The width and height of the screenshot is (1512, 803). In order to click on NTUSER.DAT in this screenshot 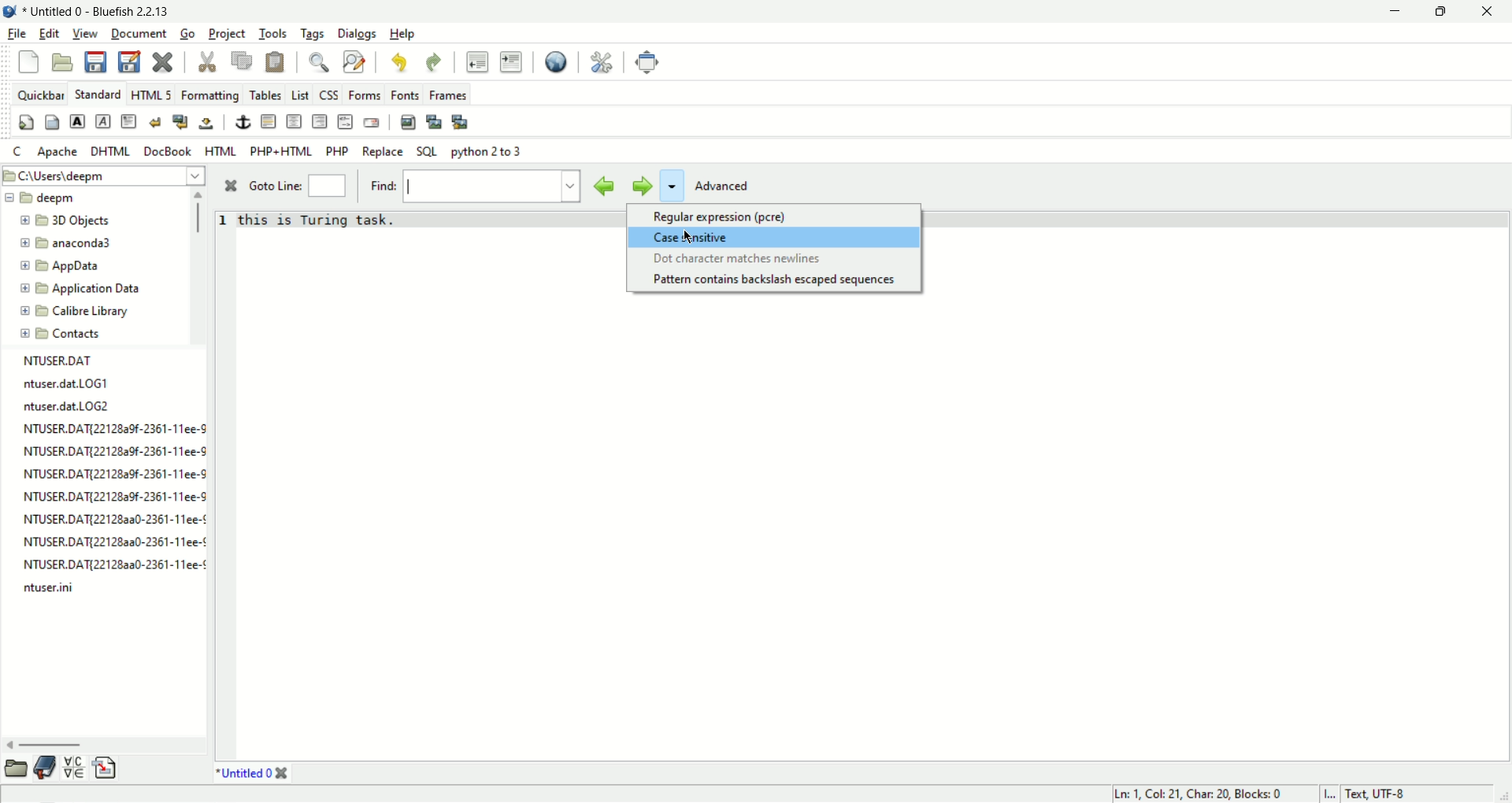, I will do `click(62, 361)`.